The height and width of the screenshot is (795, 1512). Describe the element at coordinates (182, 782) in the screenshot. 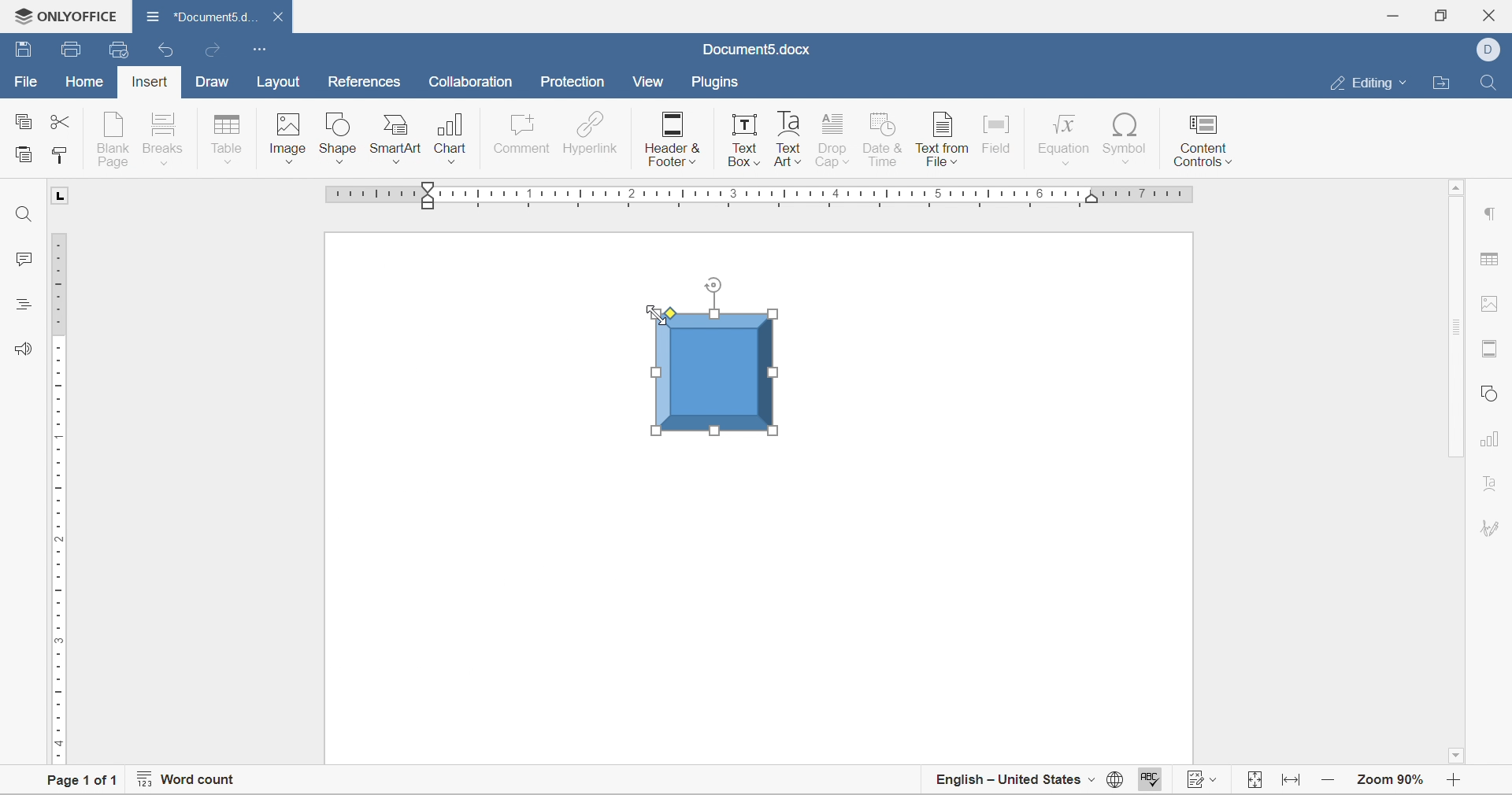

I see `word count` at that location.